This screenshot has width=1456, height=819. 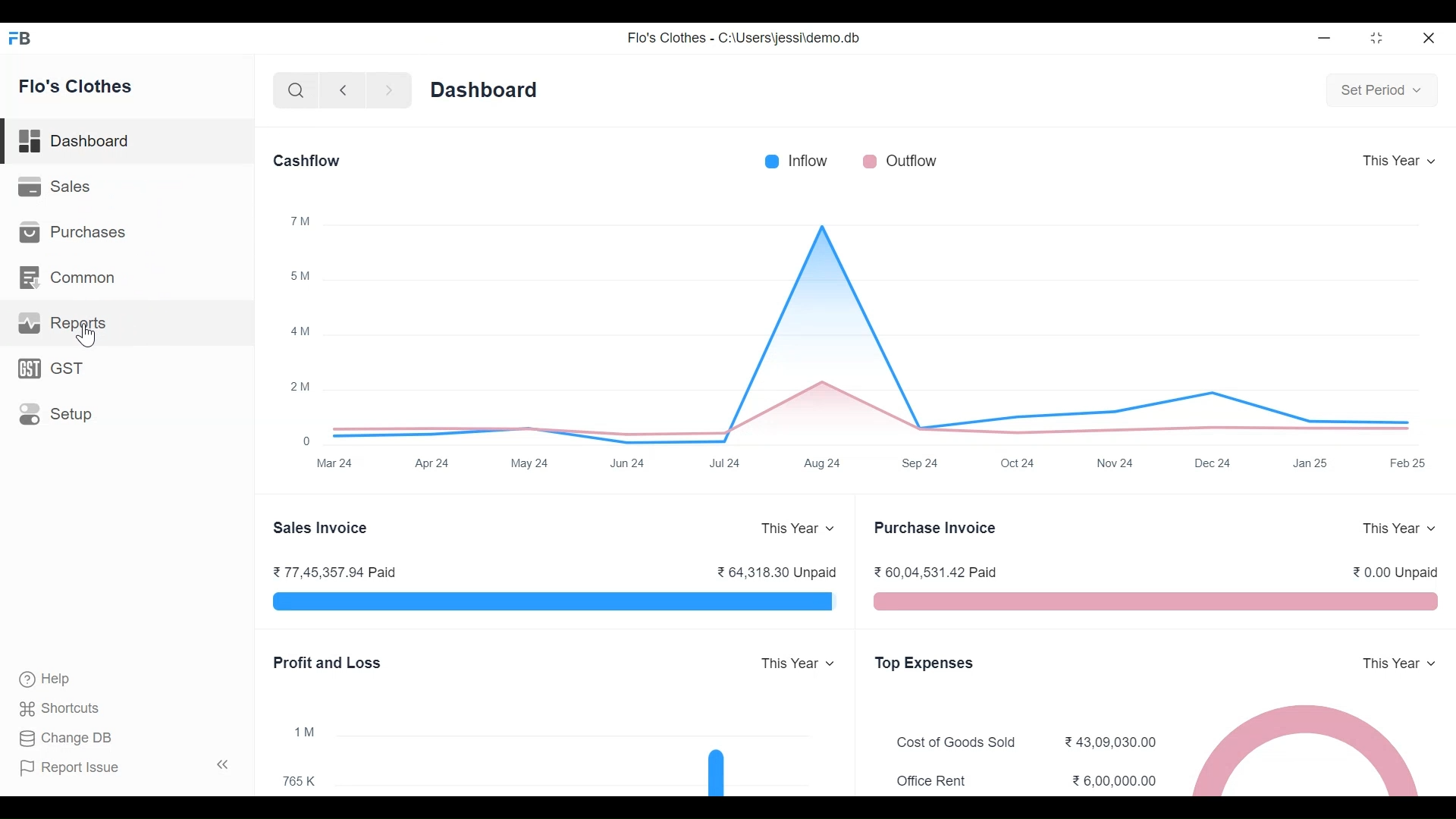 What do you see at coordinates (300, 388) in the screenshot?
I see `2M` at bounding box center [300, 388].